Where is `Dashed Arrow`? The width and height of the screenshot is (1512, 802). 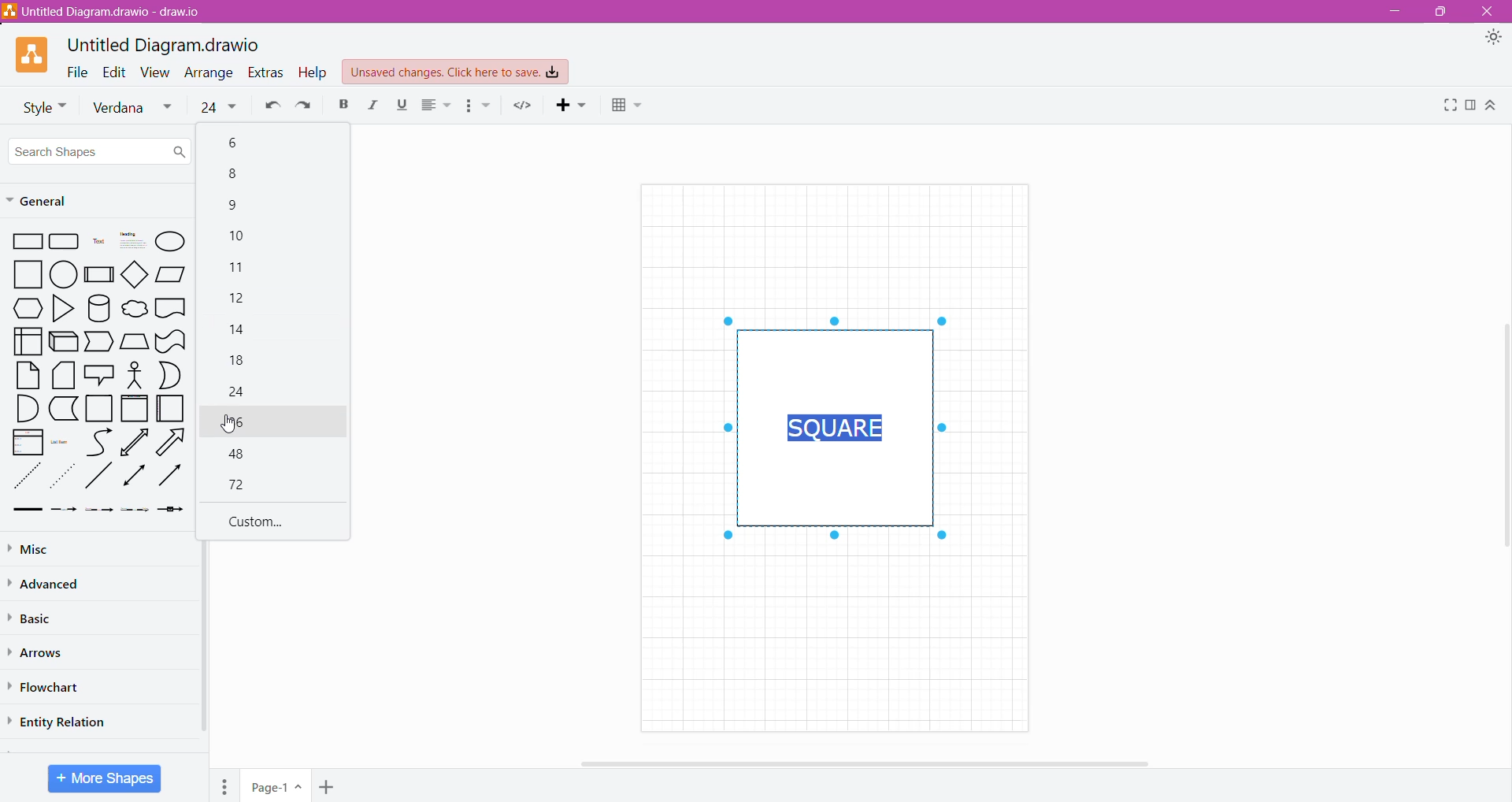
Dashed Arrow is located at coordinates (63, 513).